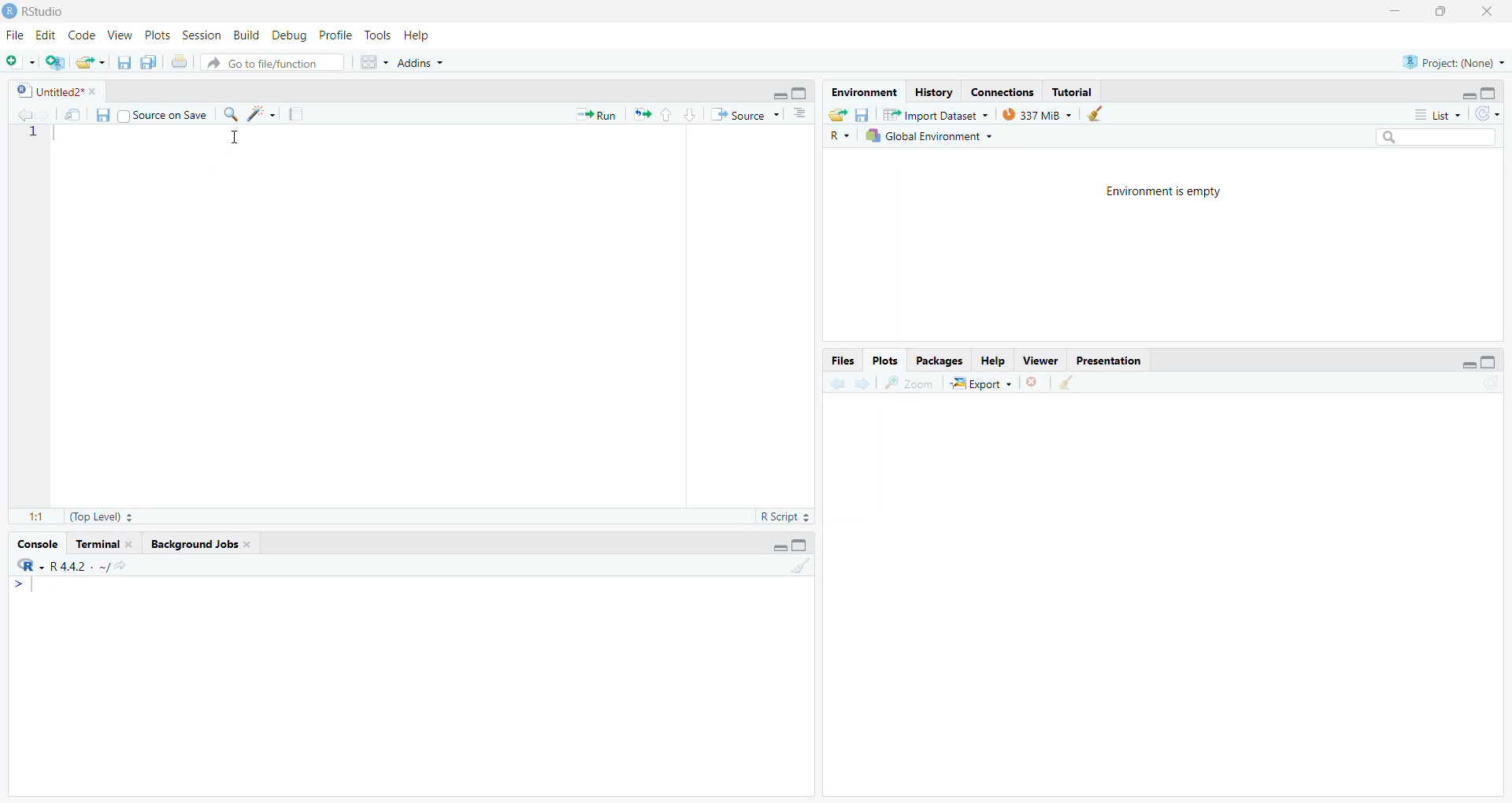 Image resolution: width=1512 pixels, height=803 pixels. What do you see at coordinates (837, 383) in the screenshot?
I see `go back` at bounding box center [837, 383].